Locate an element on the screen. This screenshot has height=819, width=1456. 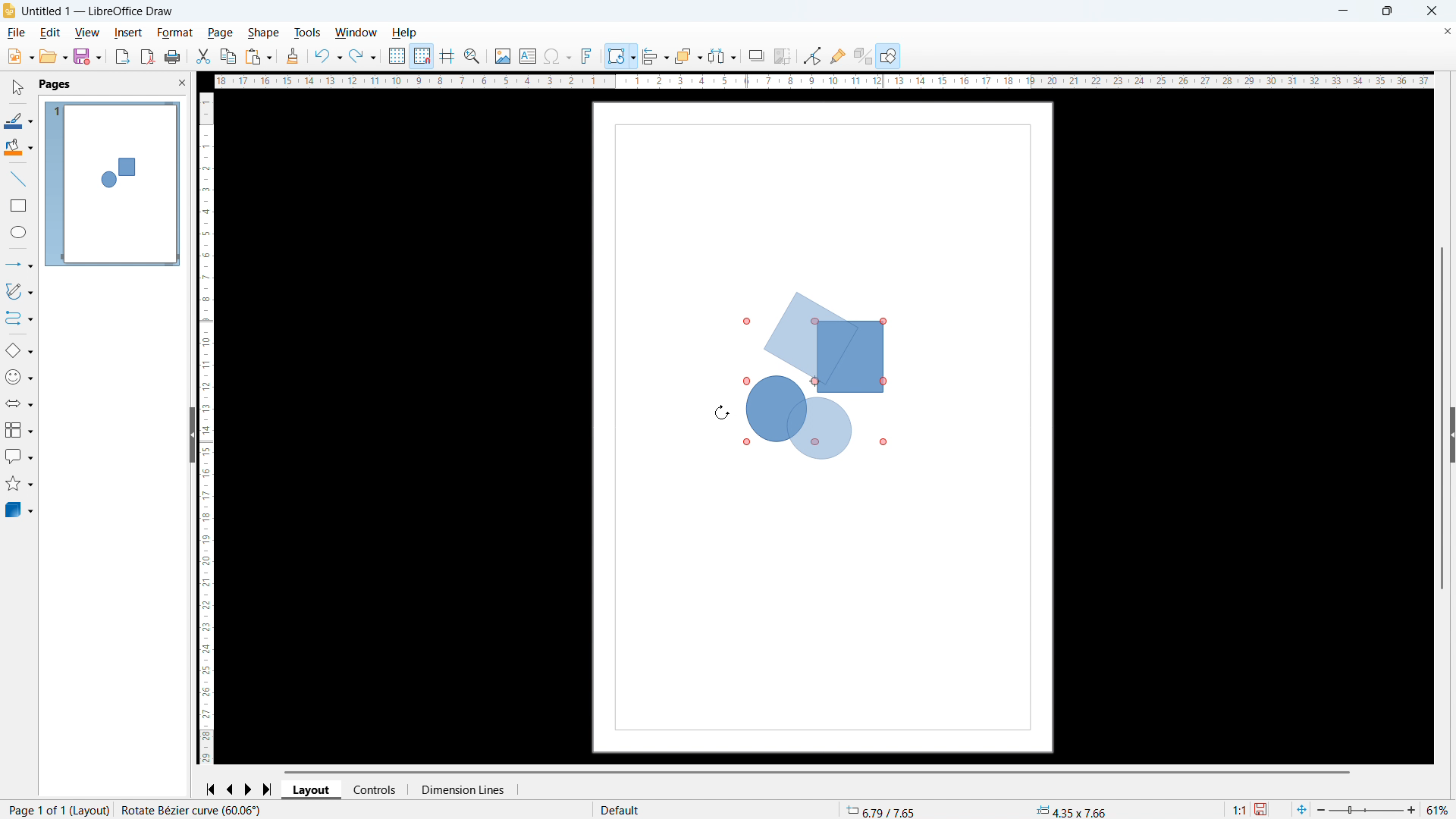
Layout  is located at coordinates (312, 790).